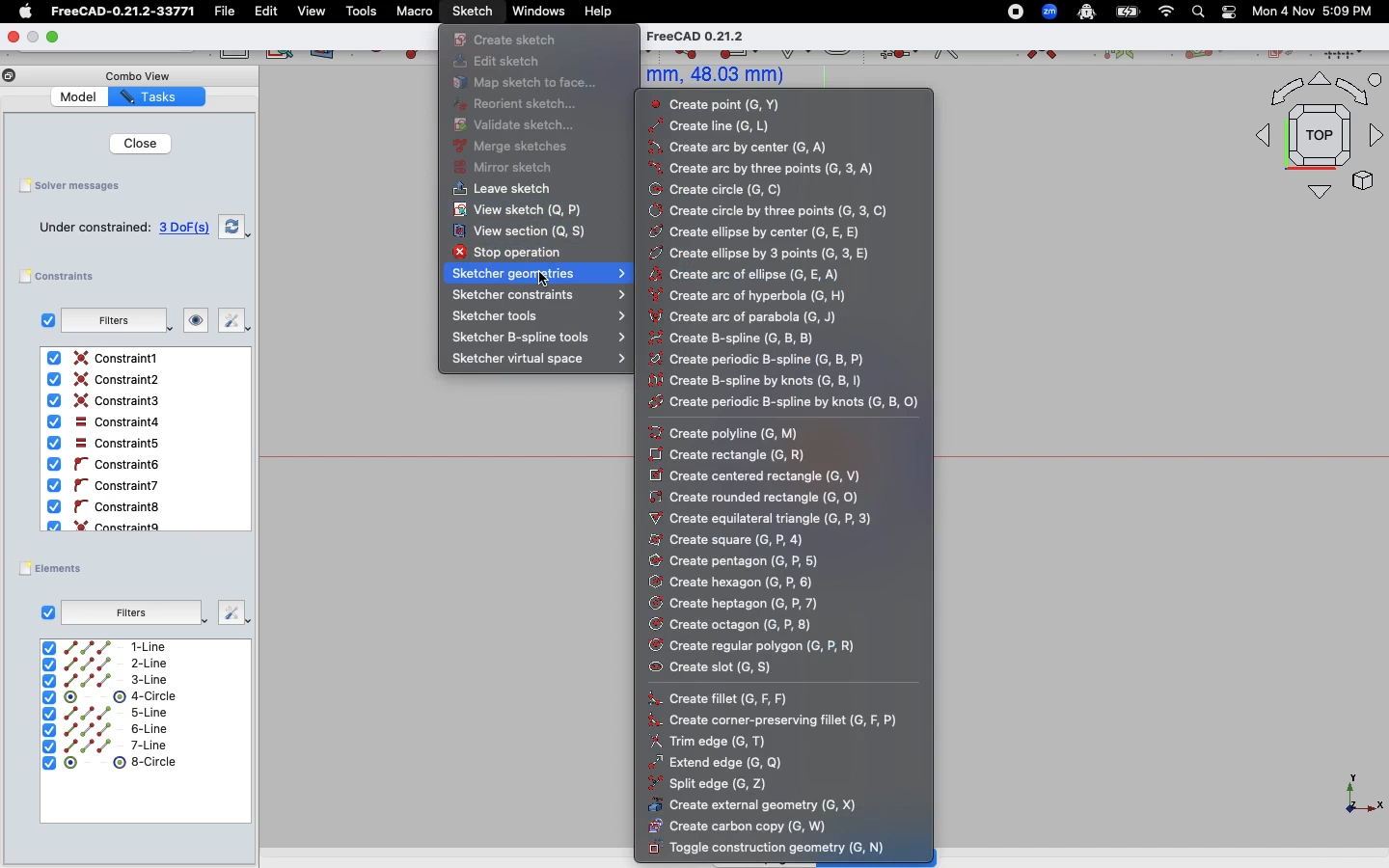 The height and width of the screenshot is (868, 1389). Describe the element at coordinates (521, 124) in the screenshot. I see `Validate sketch` at that location.